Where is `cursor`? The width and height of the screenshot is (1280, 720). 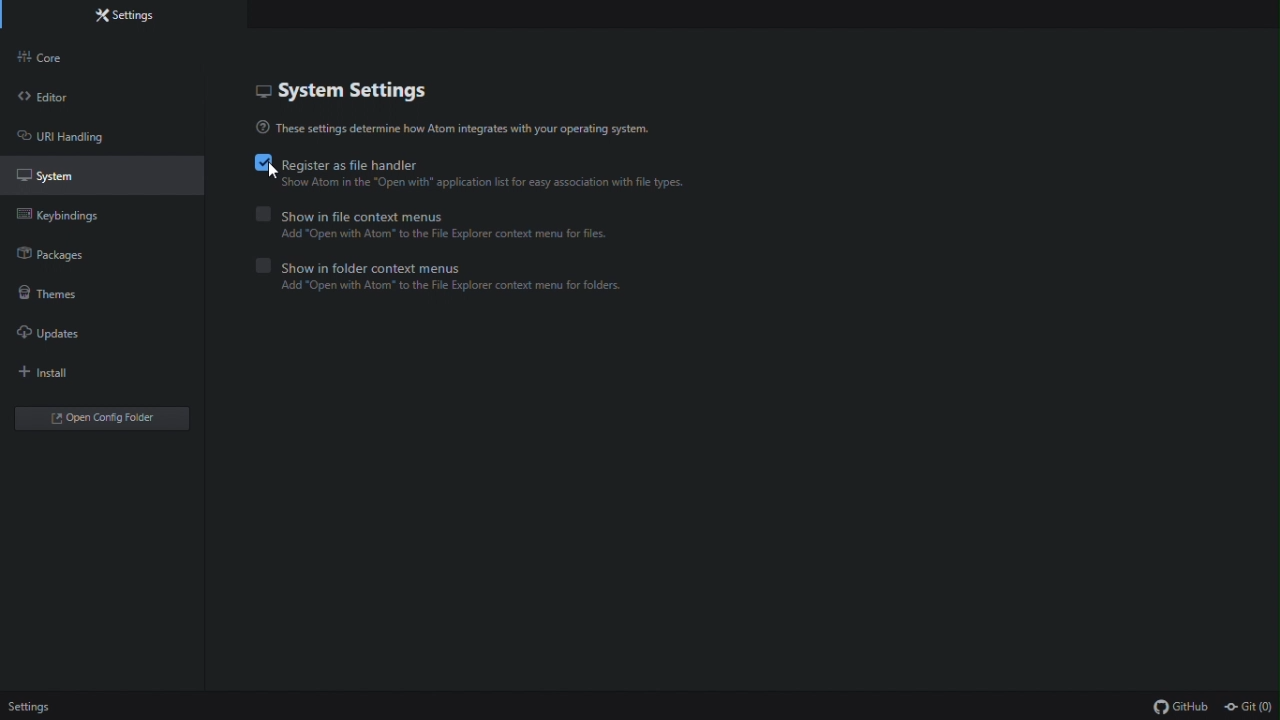
cursor is located at coordinates (272, 172).